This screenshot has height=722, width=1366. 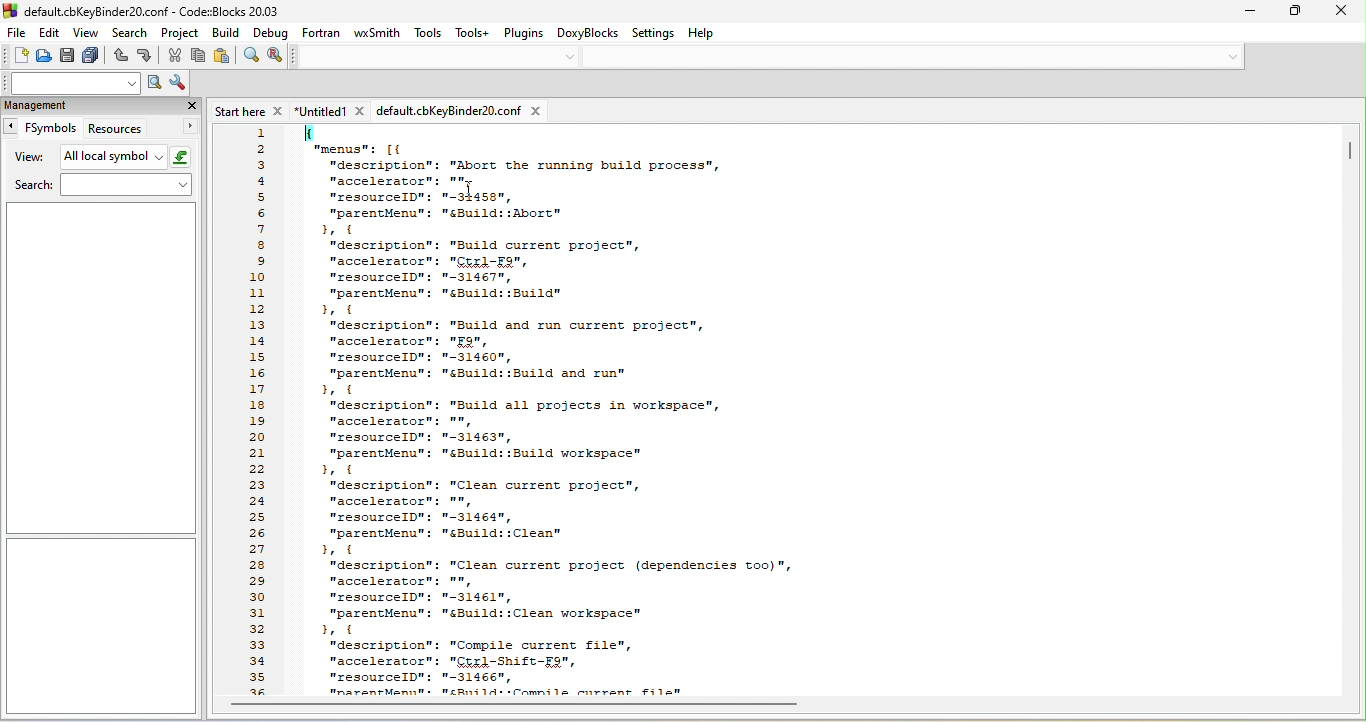 I want to click on resources, so click(x=141, y=129).